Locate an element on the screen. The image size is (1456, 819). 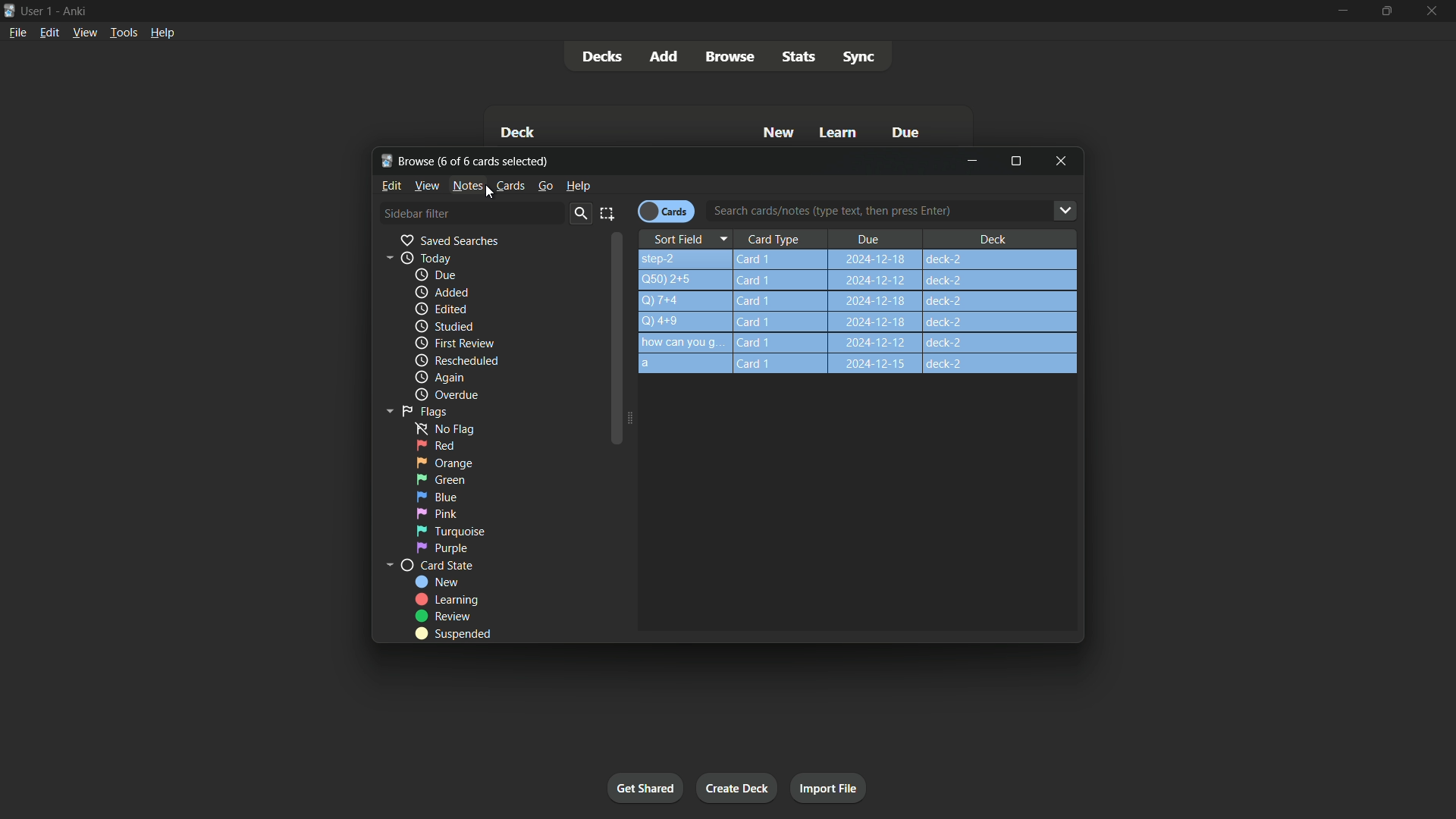
stats is located at coordinates (802, 55).